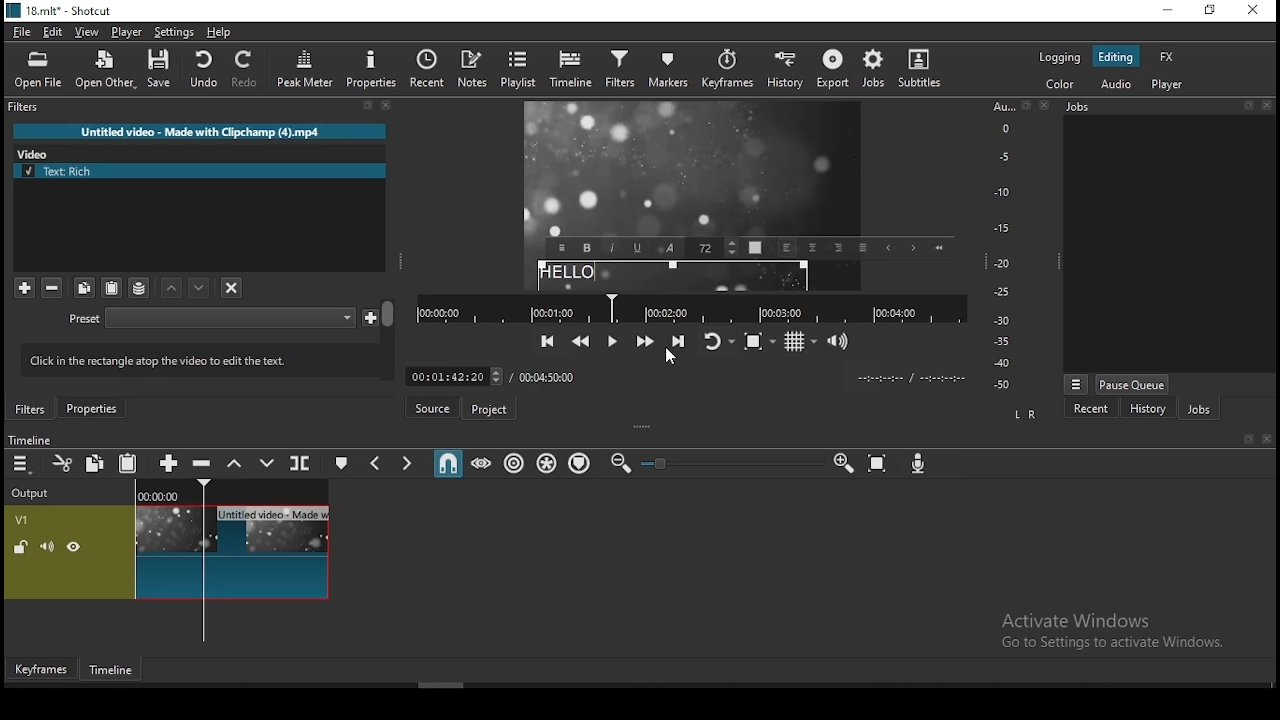 The image size is (1280, 720). Describe the element at coordinates (26, 107) in the screenshot. I see `filters` at that location.